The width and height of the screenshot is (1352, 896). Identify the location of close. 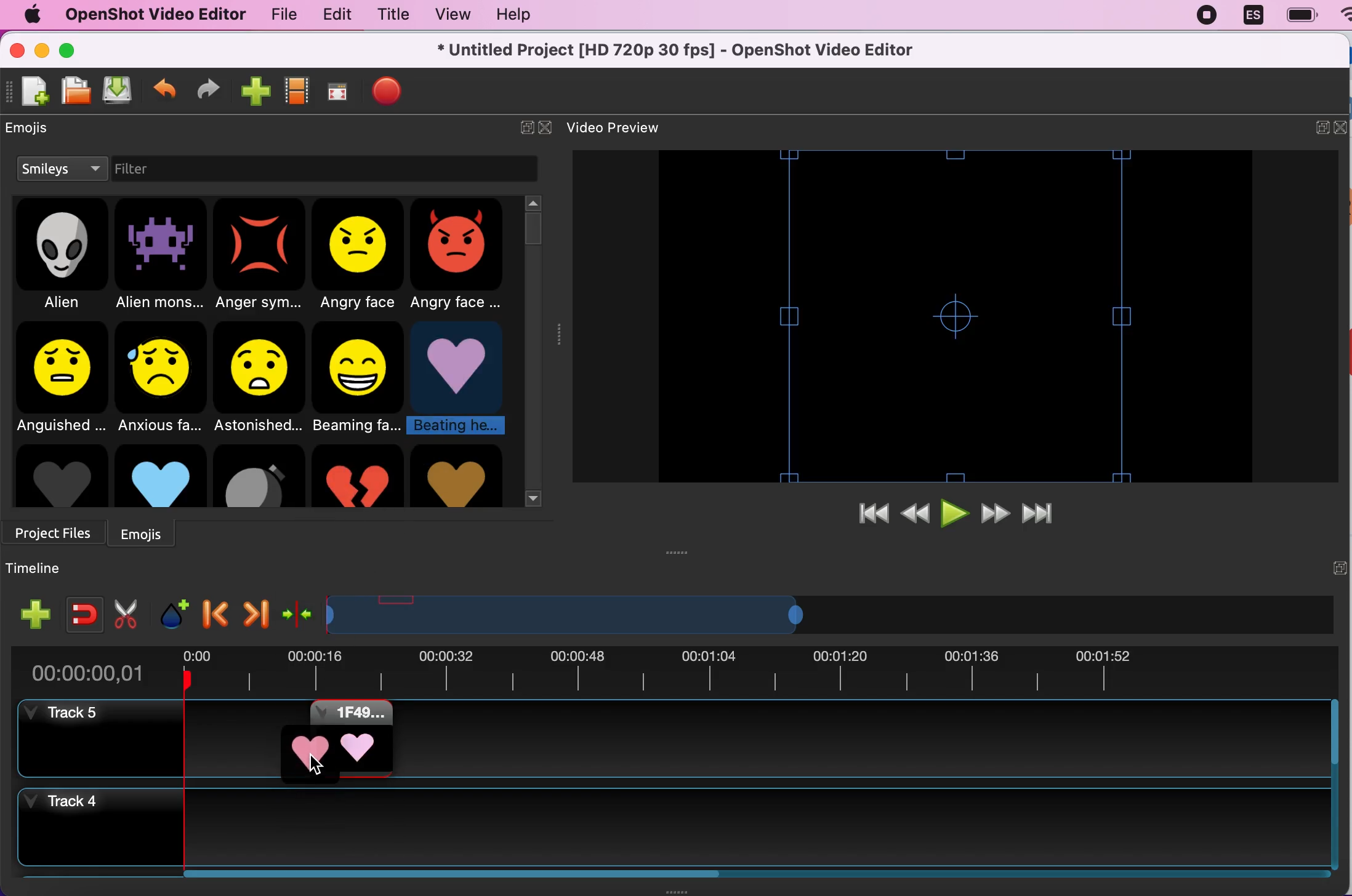
(16, 54).